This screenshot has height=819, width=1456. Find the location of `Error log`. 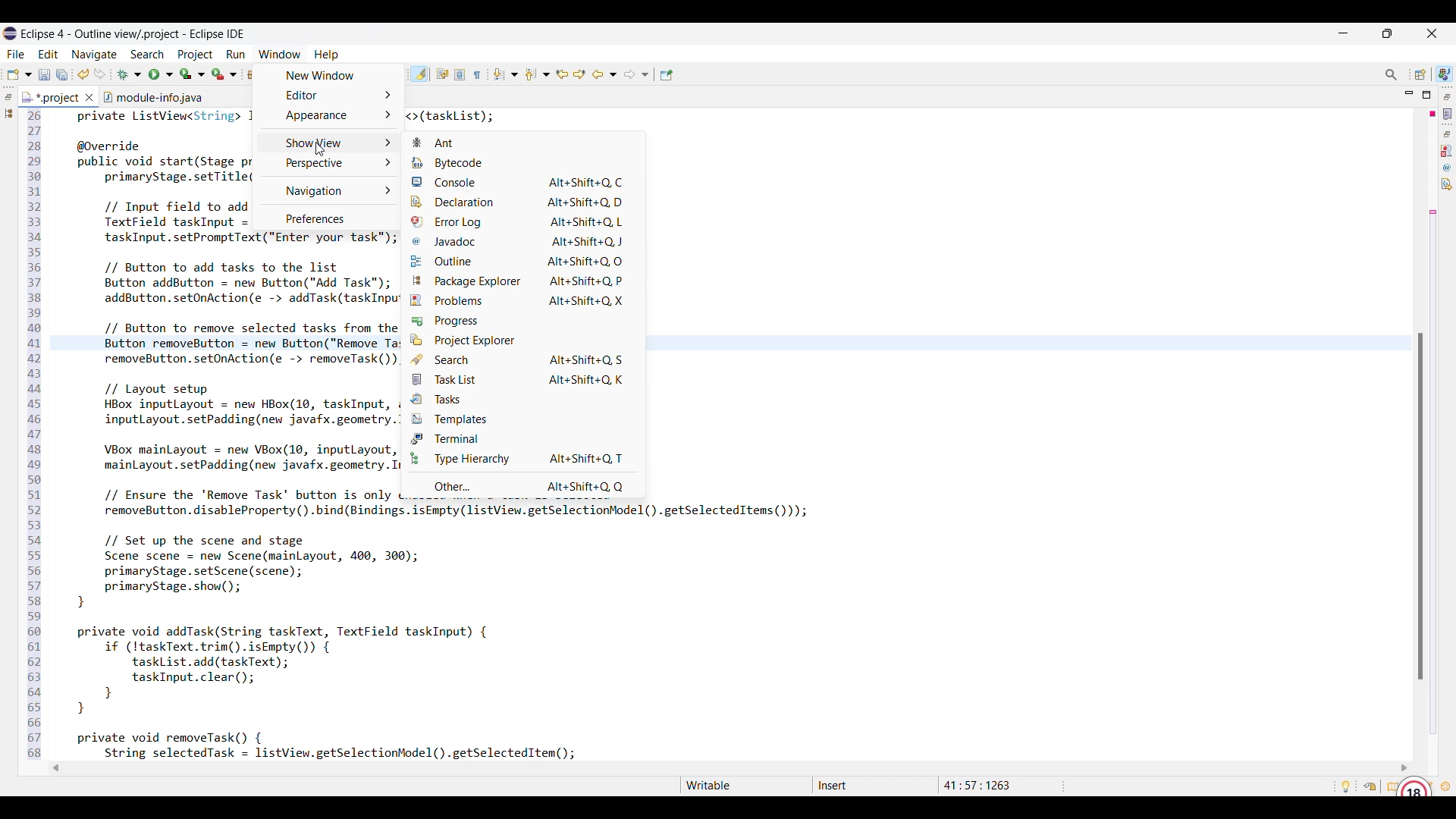

Error log is located at coordinates (522, 221).